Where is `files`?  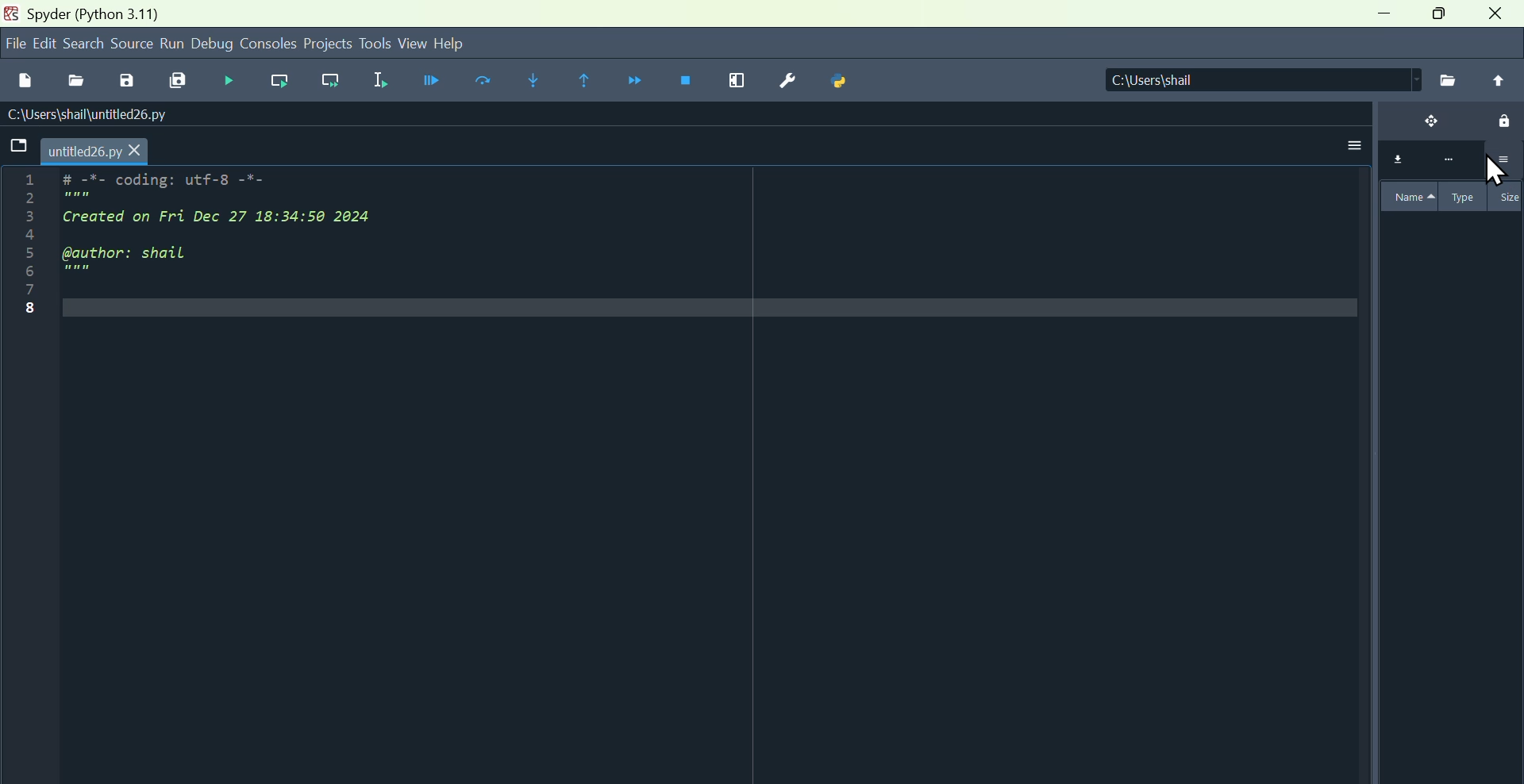
files is located at coordinates (1446, 79).